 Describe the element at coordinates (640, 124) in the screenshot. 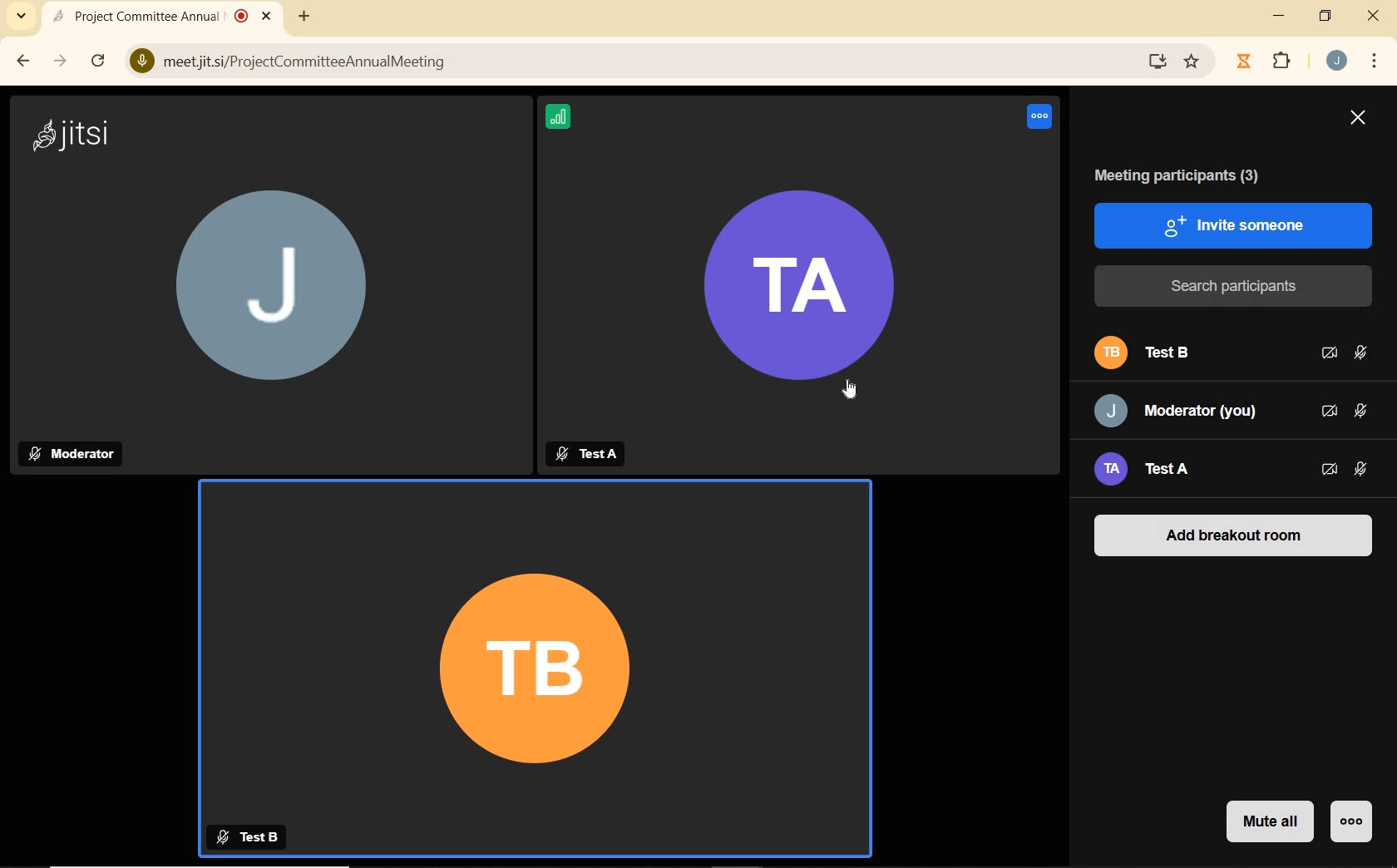

I see `` at that location.